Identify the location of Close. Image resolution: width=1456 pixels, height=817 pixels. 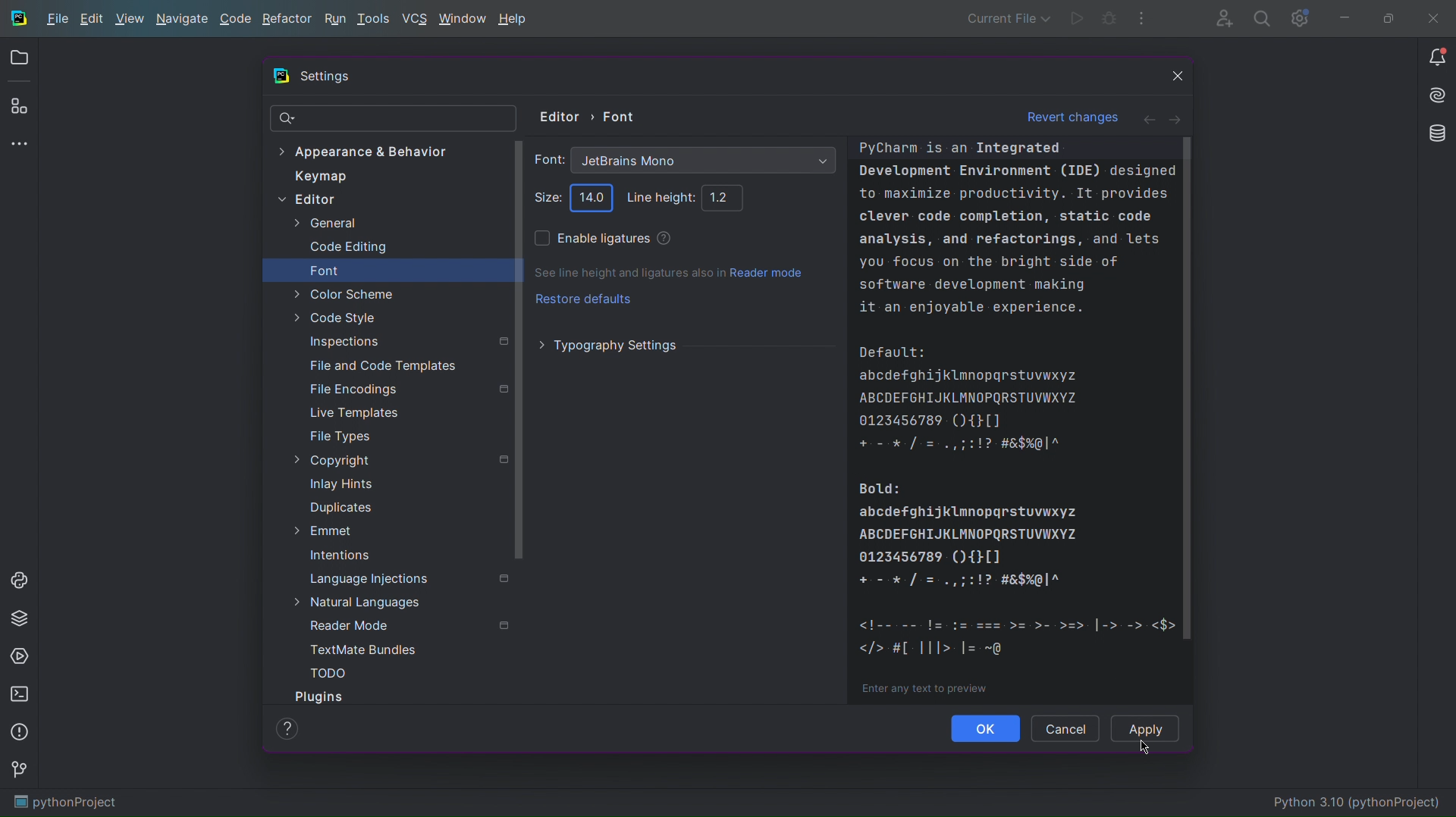
(1168, 79).